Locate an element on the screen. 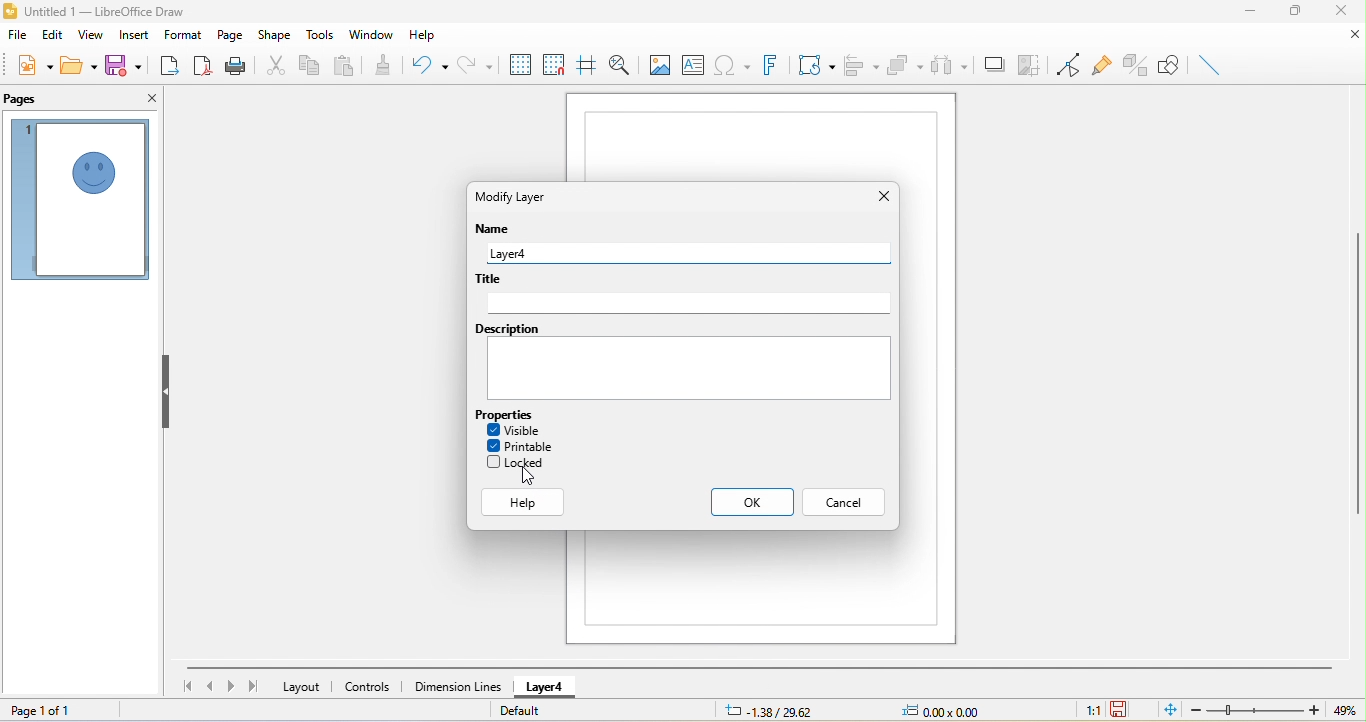 The image size is (1366, 722). select at least three object to distribute is located at coordinates (949, 67).